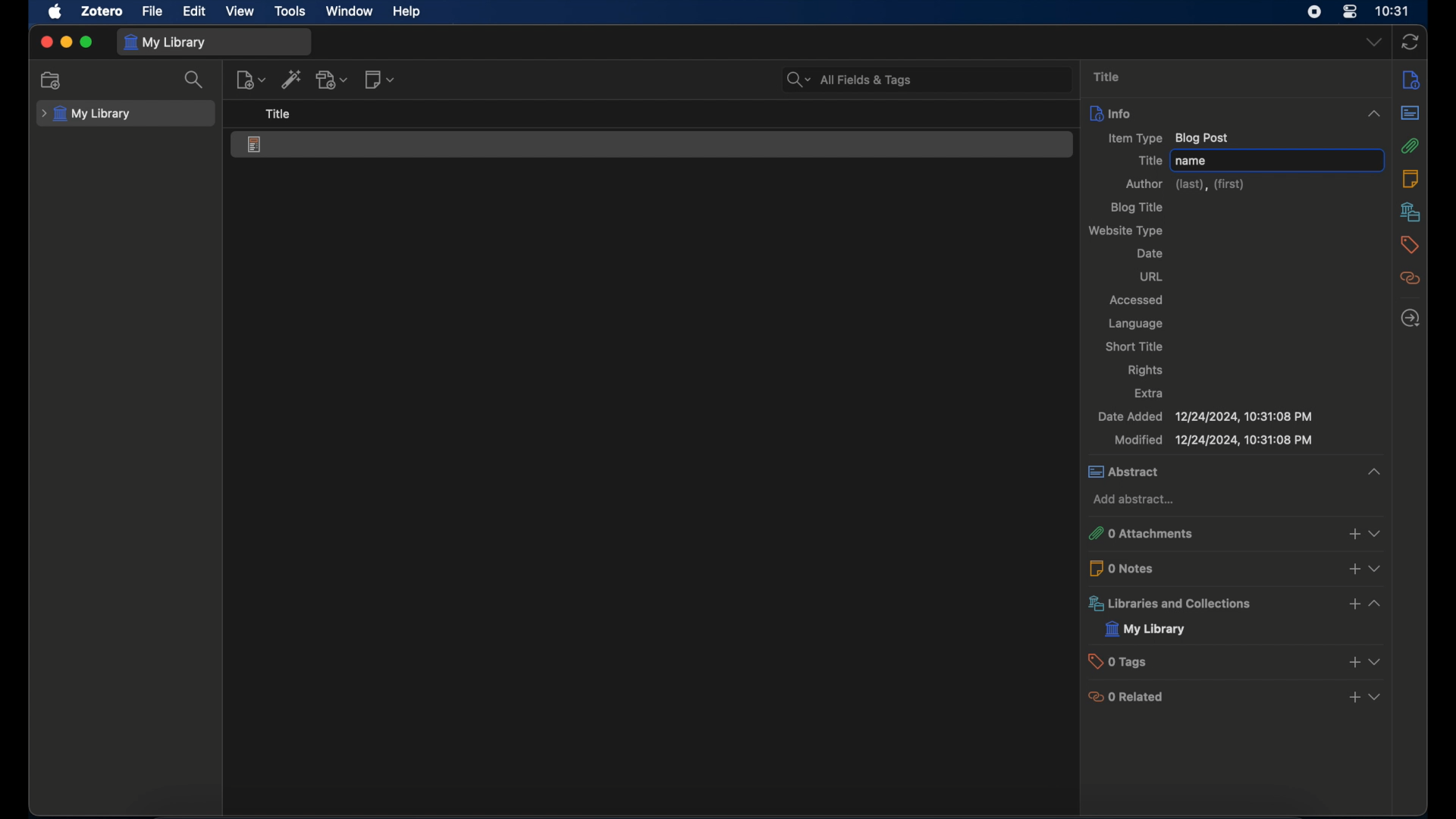 The image size is (1456, 819). Describe the element at coordinates (1236, 696) in the screenshot. I see `0 related` at that location.